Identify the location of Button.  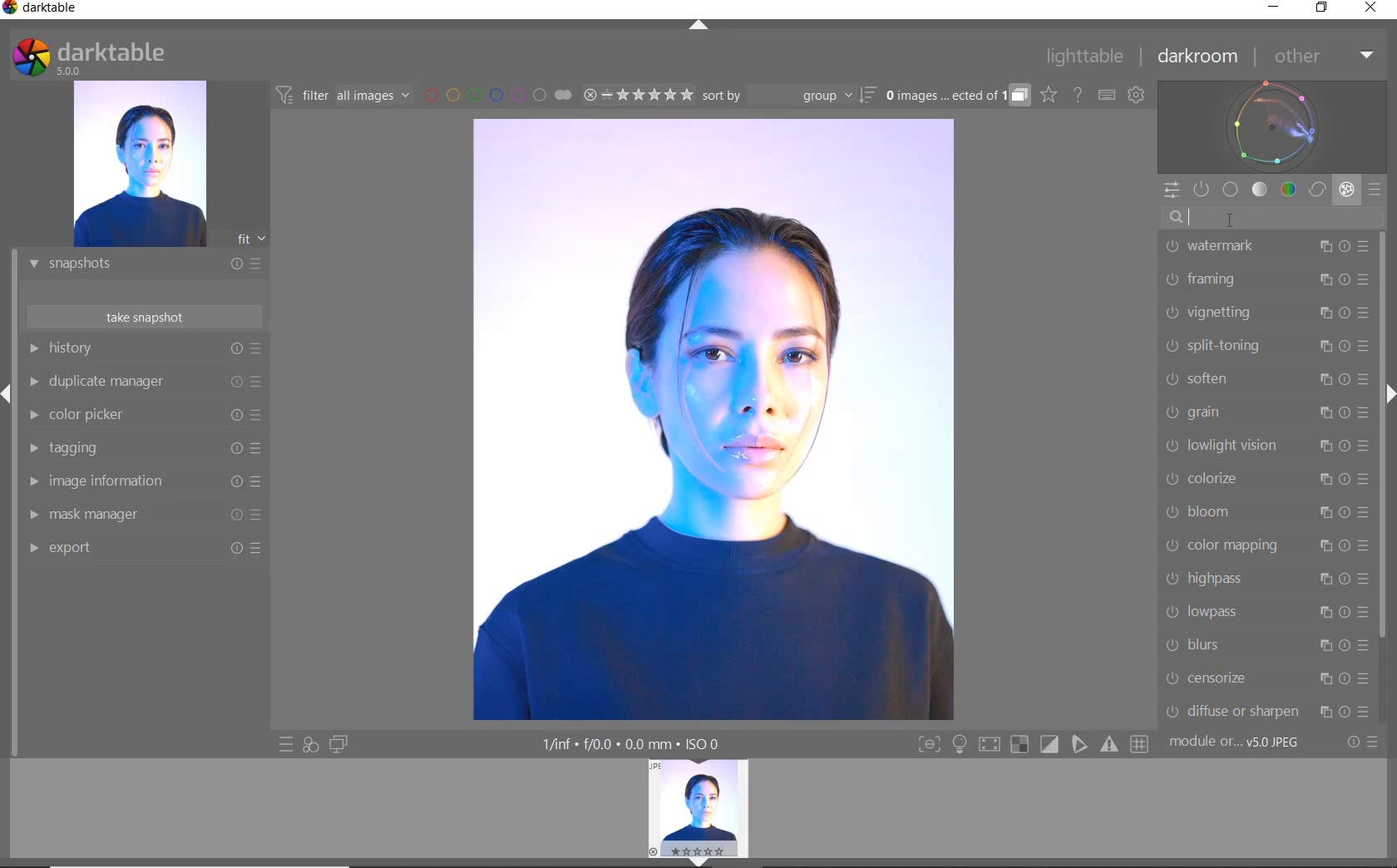
(1111, 744).